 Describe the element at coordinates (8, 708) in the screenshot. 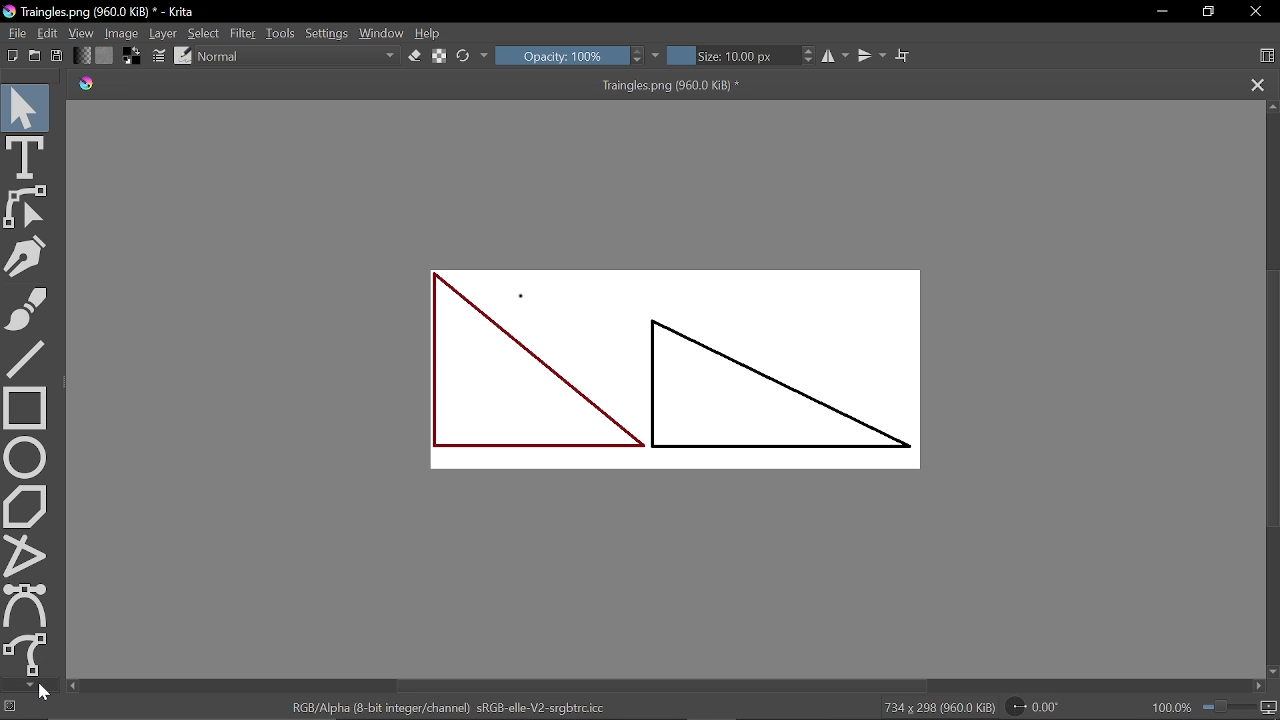

I see `No selection ` at that location.